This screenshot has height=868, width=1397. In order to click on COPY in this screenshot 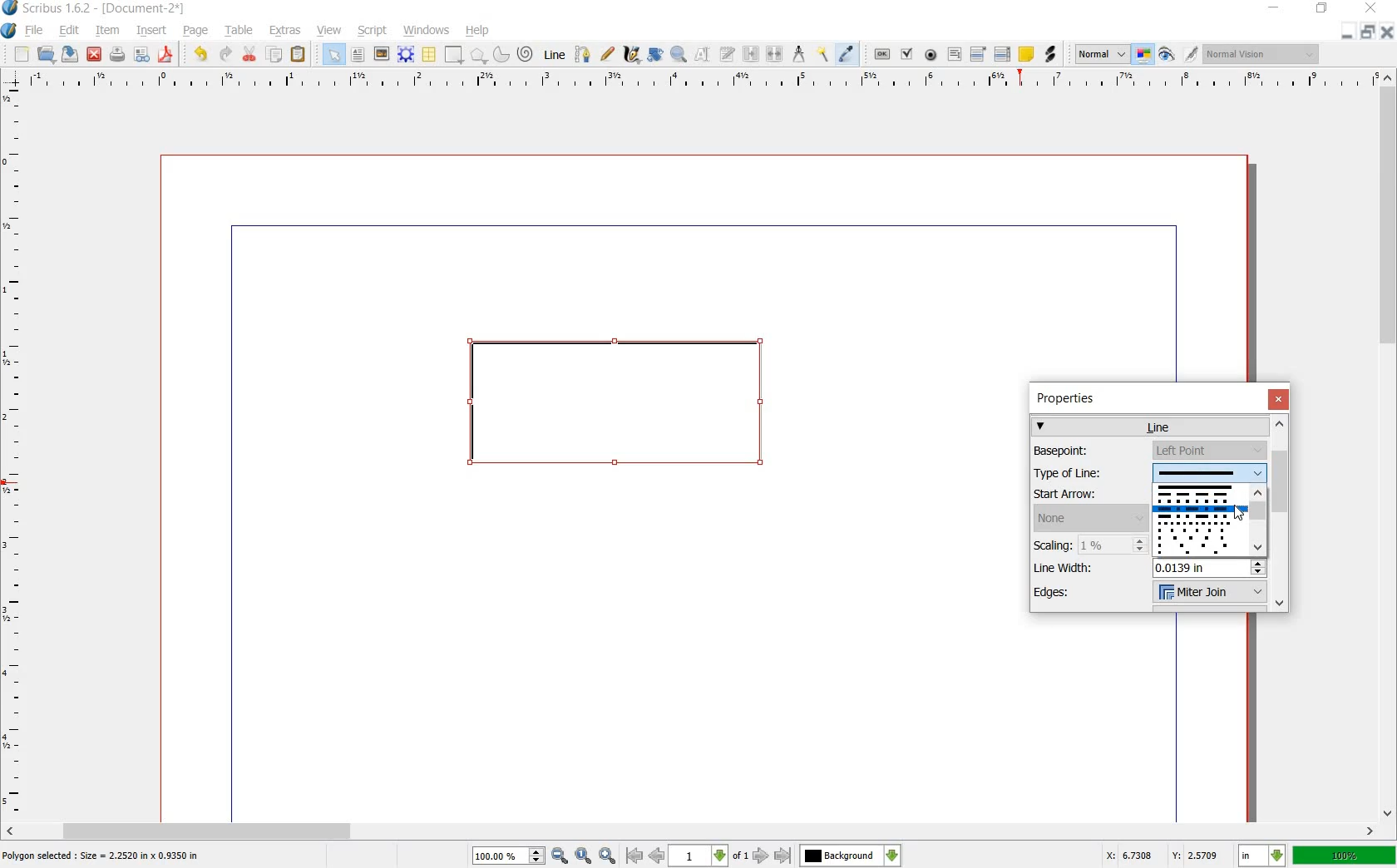, I will do `click(276, 55)`.